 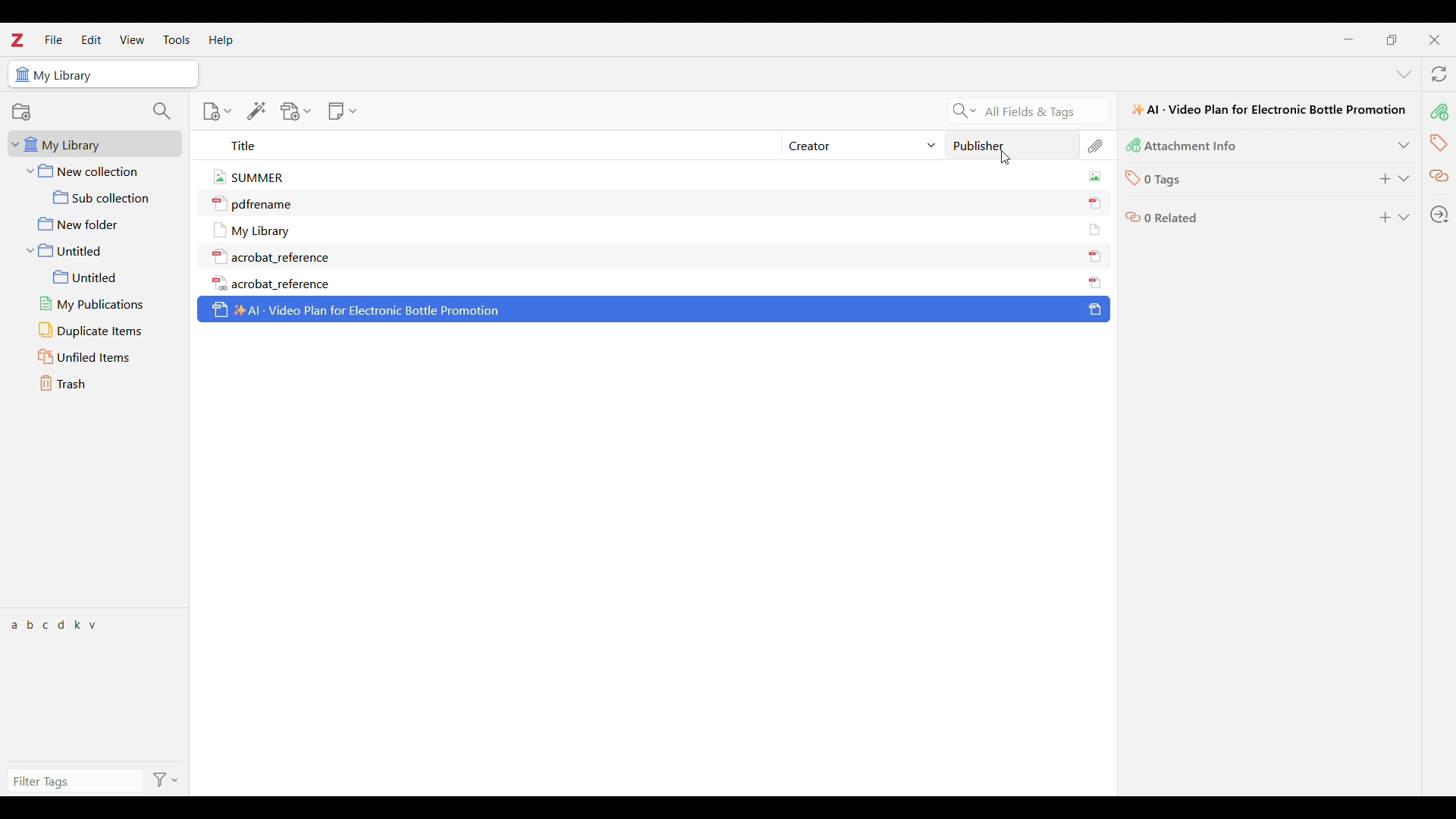 I want to click on Filter collections, so click(x=161, y=111).